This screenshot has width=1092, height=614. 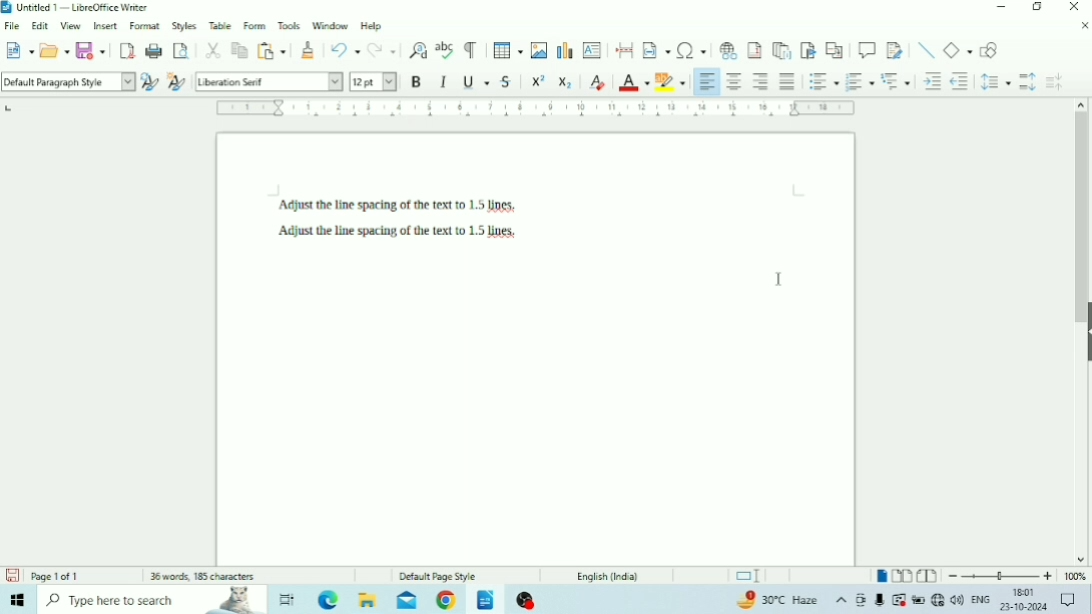 What do you see at coordinates (995, 82) in the screenshot?
I see `Set Line Spacing` at bounding box center [995, 82].